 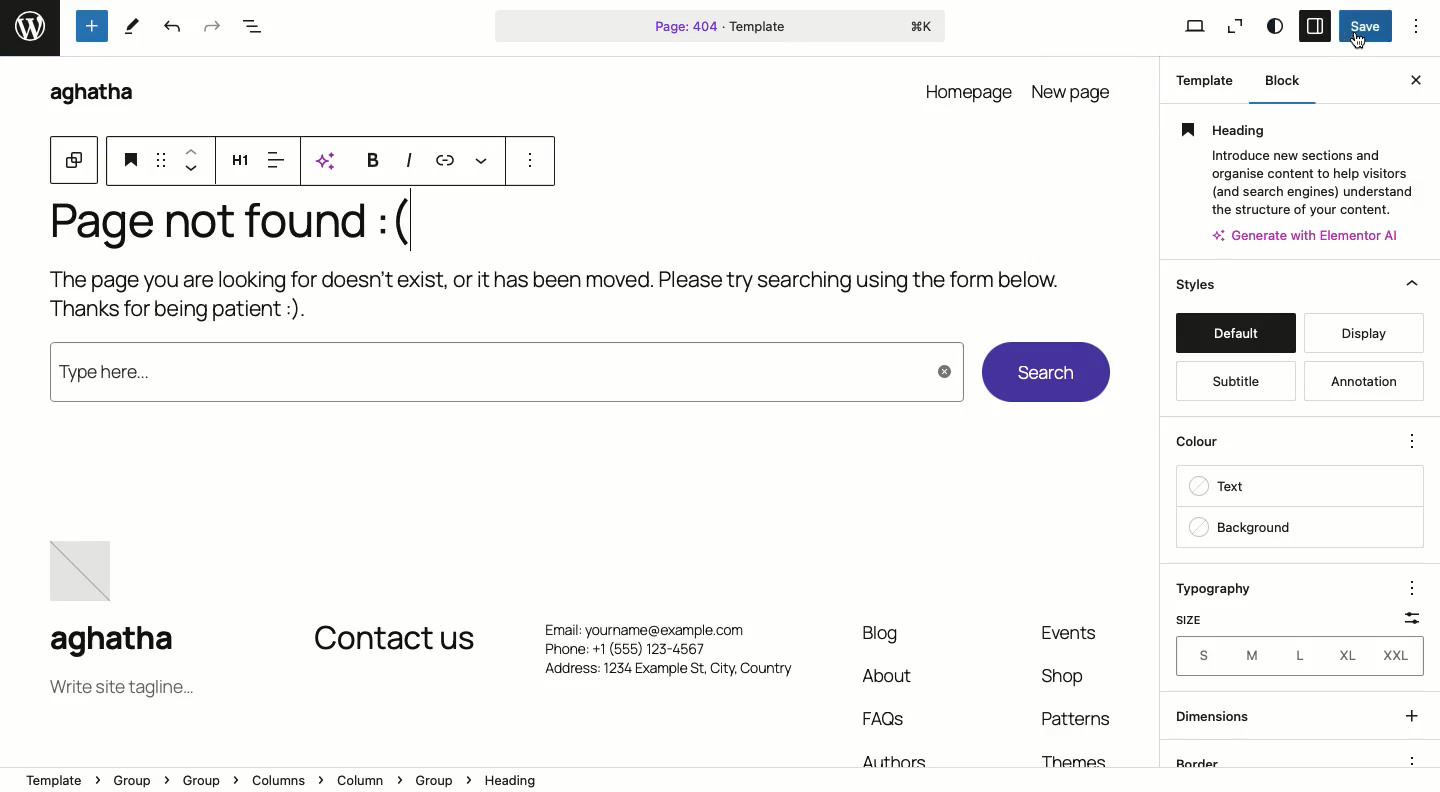 What do you see at coordinates (1406, 622) in the screenshot?
I see `Scale` at bounding box center [1406, 622].